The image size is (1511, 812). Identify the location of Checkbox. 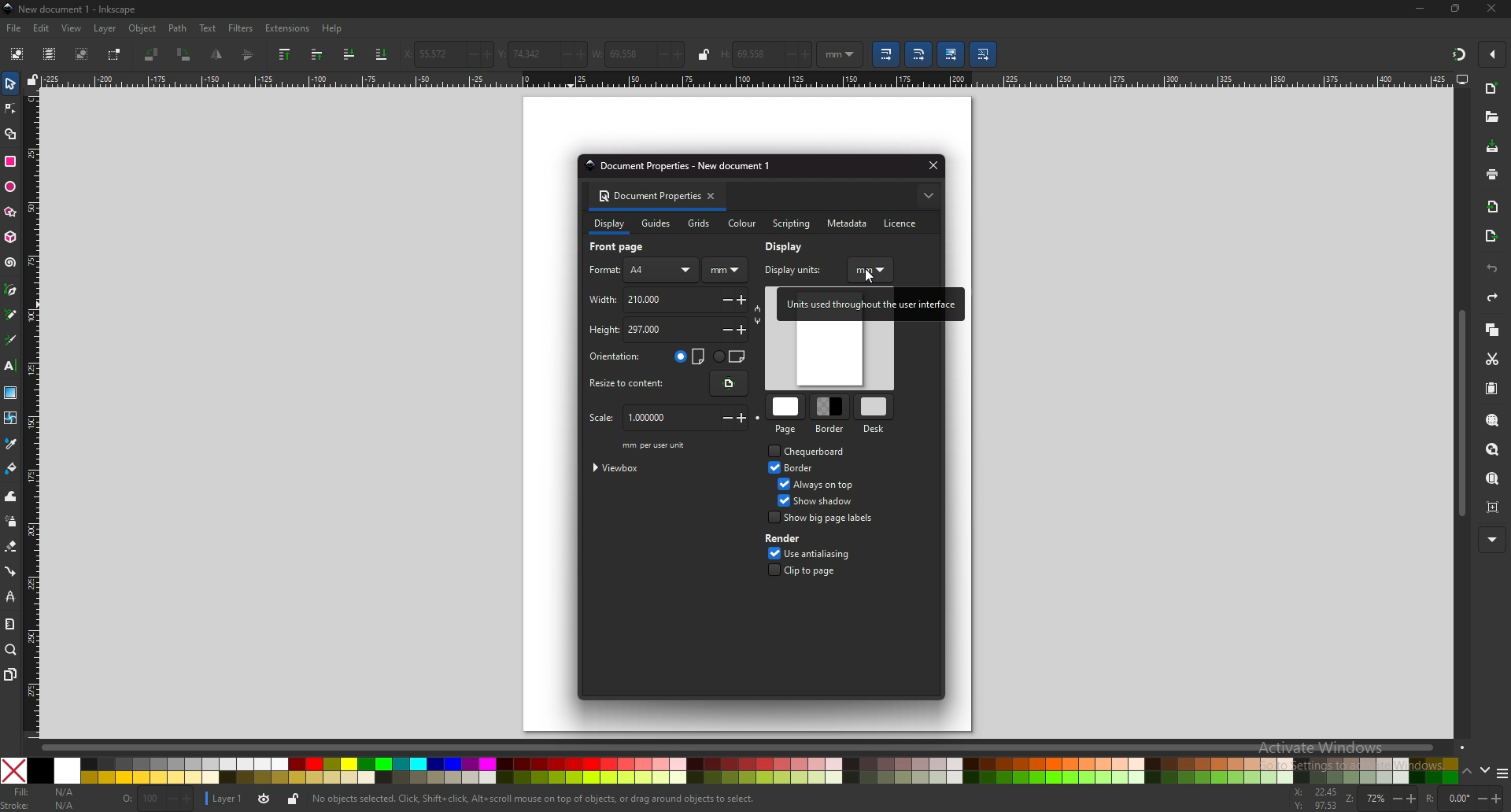
(770, 467).